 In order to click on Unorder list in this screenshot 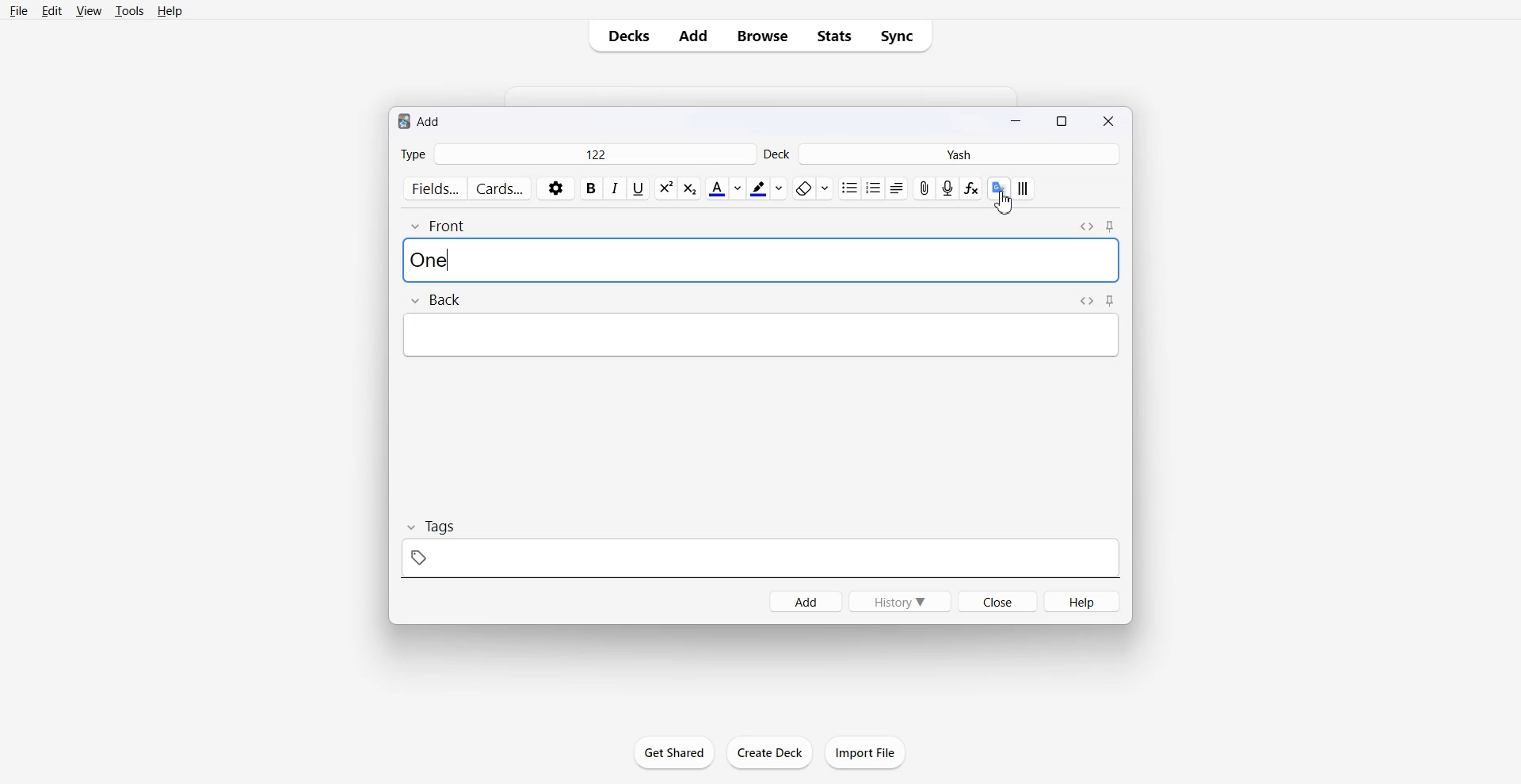, I will do `click(848, 188)`.